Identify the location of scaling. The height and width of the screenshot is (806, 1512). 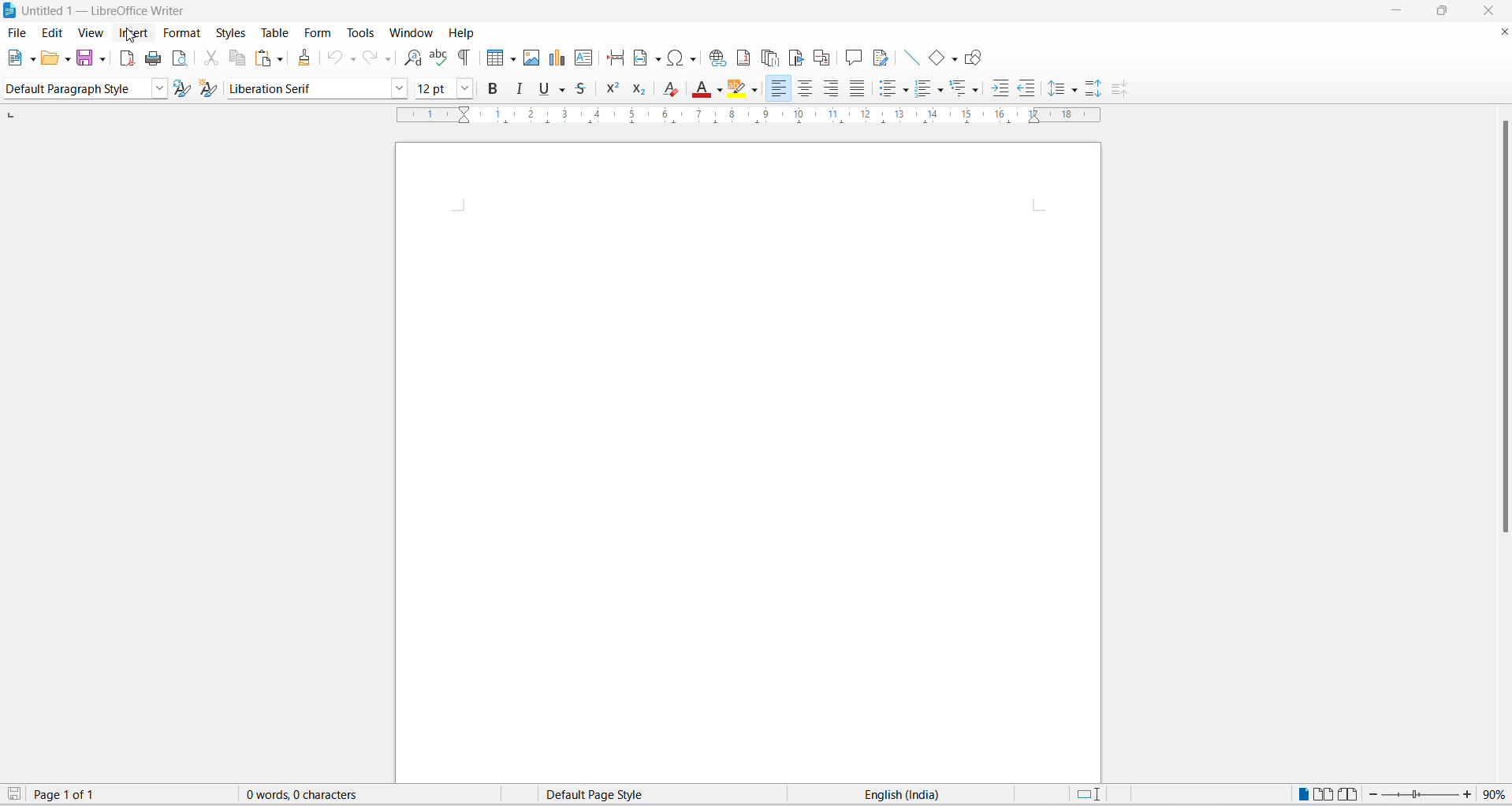
(757, 122).